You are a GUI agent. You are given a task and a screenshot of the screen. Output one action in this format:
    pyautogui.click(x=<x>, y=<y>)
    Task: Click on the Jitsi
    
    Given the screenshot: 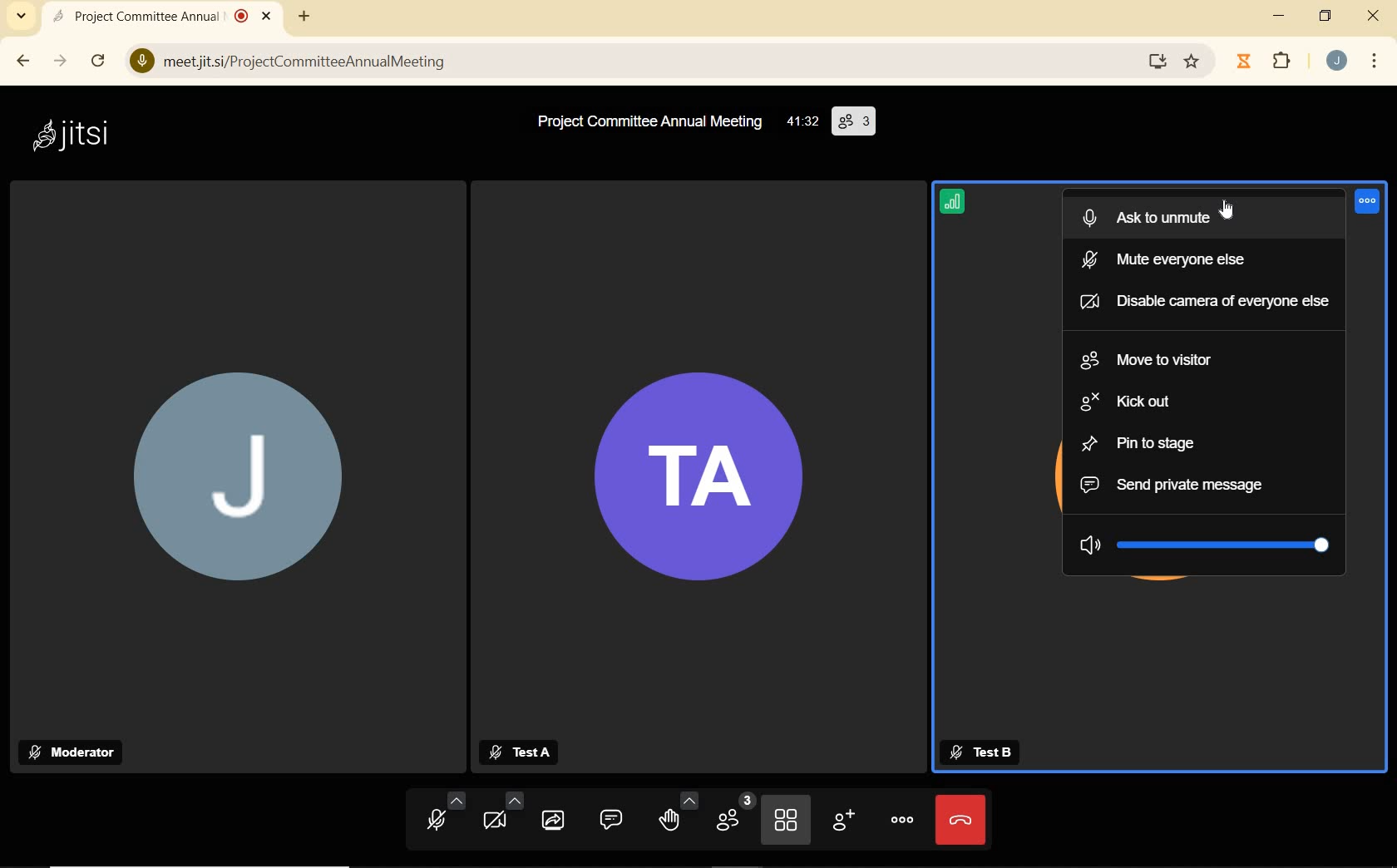 What is the action you would take?
    pyautogui.click(x=76, y=136)
    